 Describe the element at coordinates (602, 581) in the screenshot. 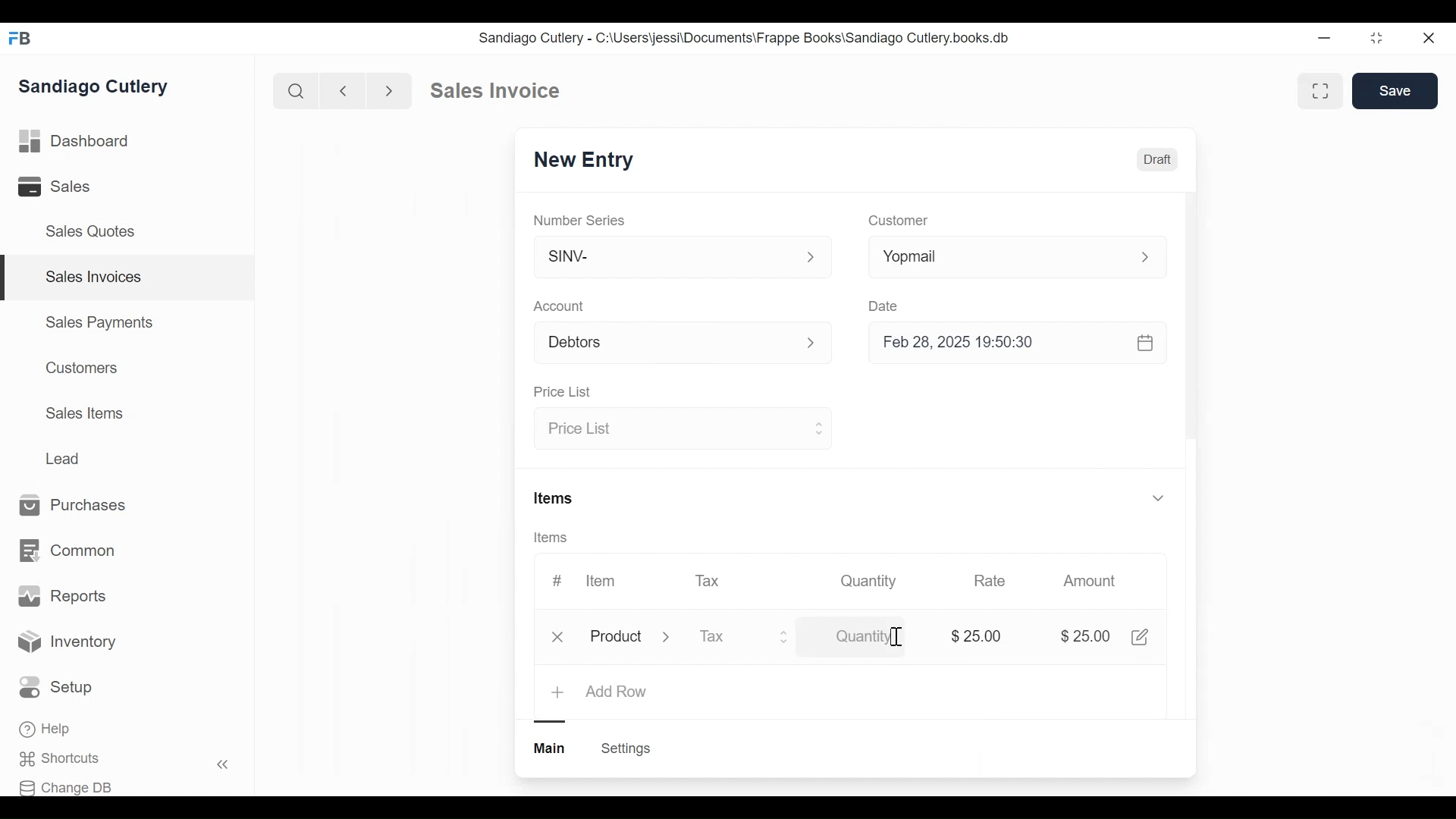

I see `Item` at that location.